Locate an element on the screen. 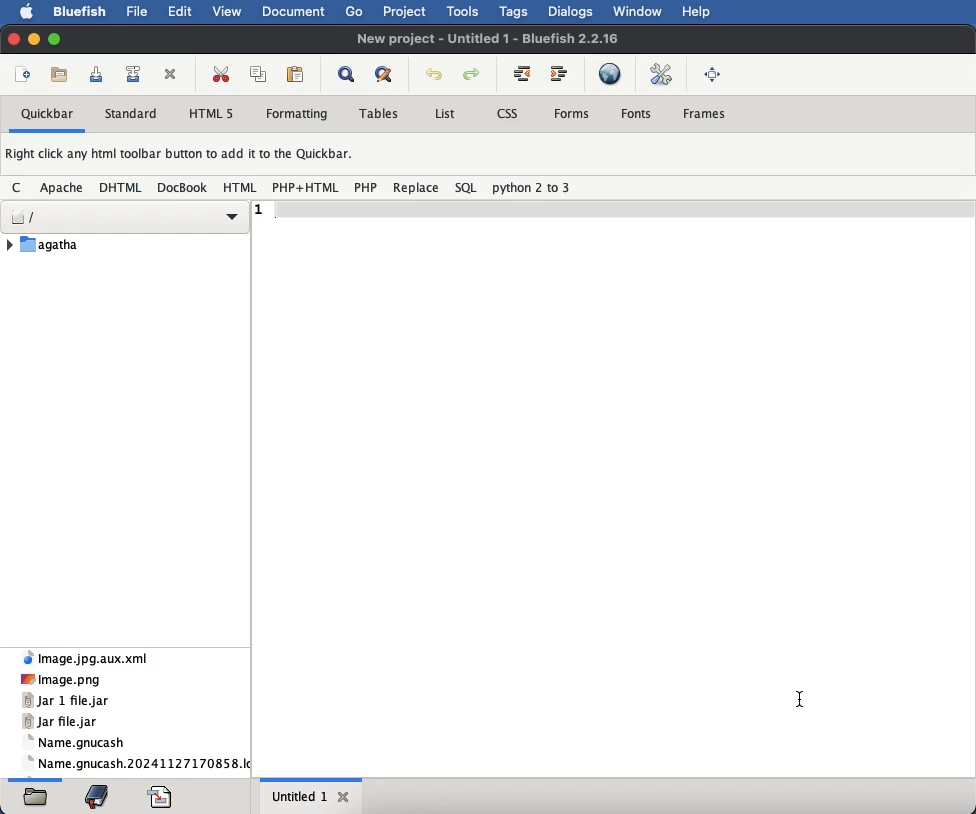  go is located at coordinates (355, 12).